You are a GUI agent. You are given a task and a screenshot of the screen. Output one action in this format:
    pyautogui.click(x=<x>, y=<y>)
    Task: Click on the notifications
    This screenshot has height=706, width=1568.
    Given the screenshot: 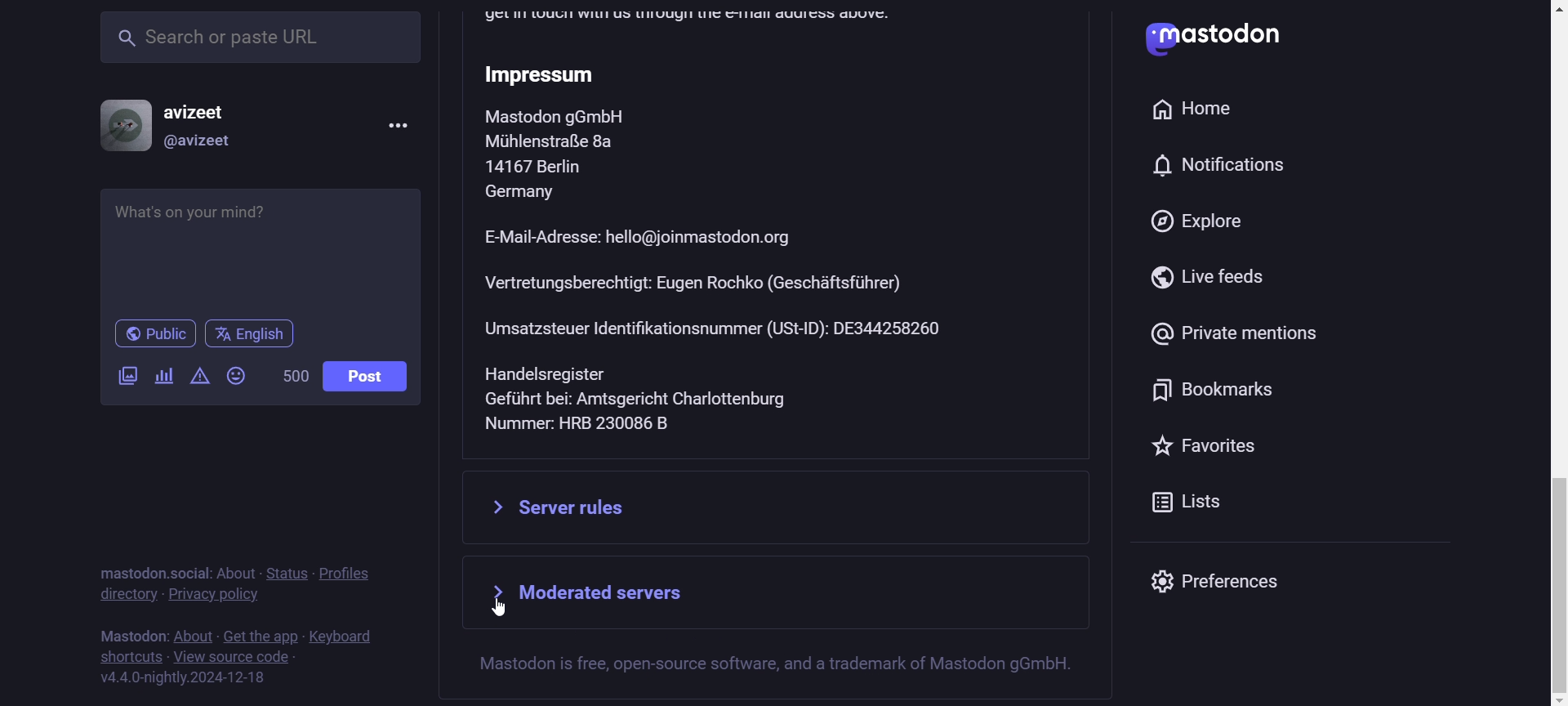 What is the action you would take?
    pyautogui.click(x=1225, y=165)
    